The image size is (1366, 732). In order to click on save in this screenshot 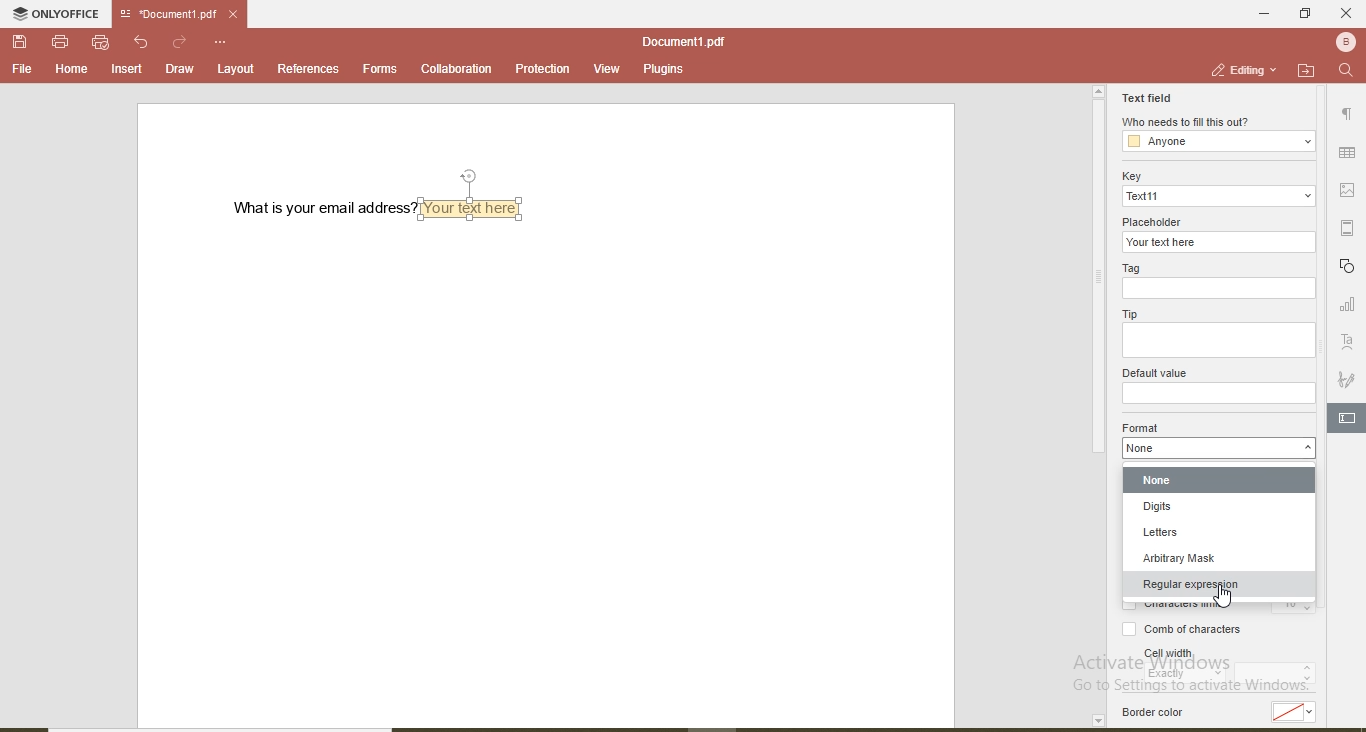, I will do `click(22, 43)`.